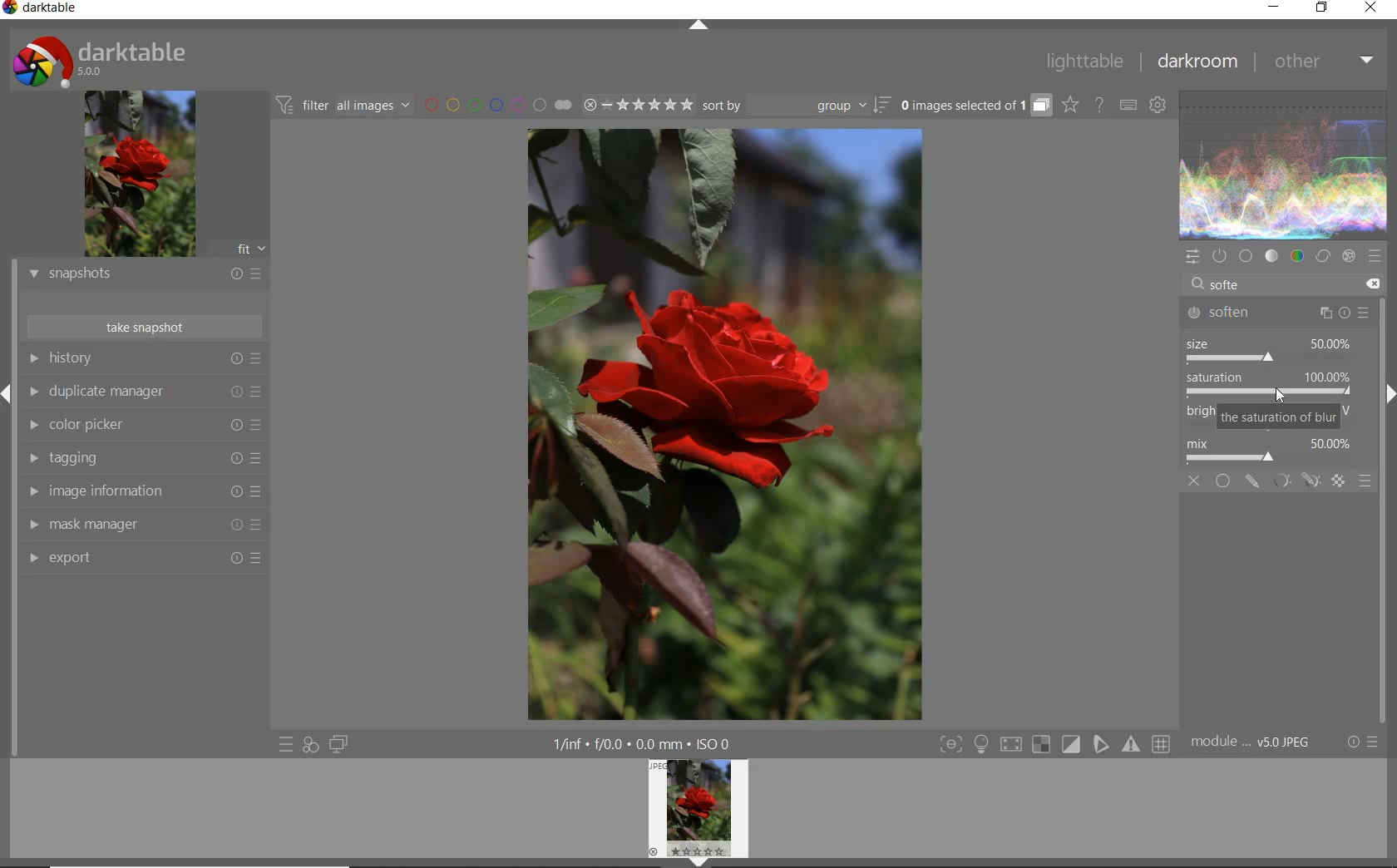 The width and height of the screenshot is (1397, 868). I want to click on module..v50JPEG, so click(1256, 742).